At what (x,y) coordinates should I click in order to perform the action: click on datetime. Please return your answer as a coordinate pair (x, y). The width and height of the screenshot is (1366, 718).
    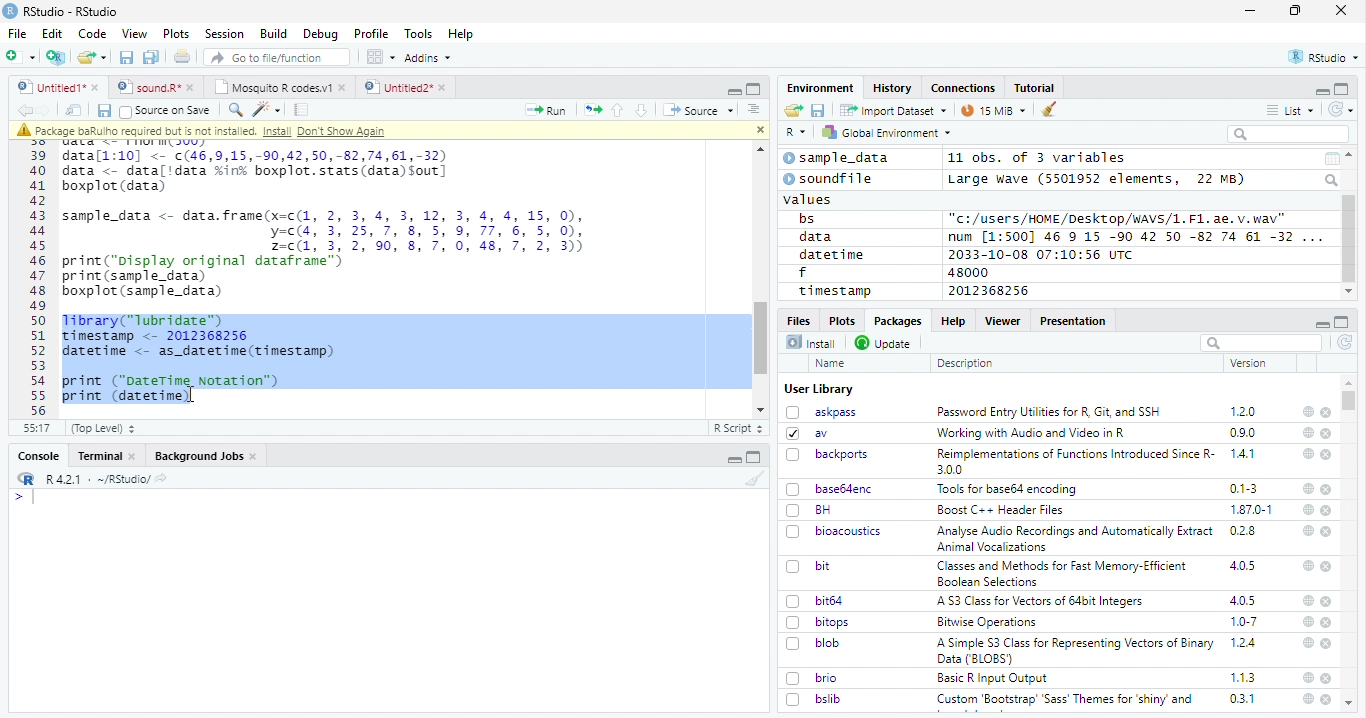
    Looking at the image, I should click on (831, 254).